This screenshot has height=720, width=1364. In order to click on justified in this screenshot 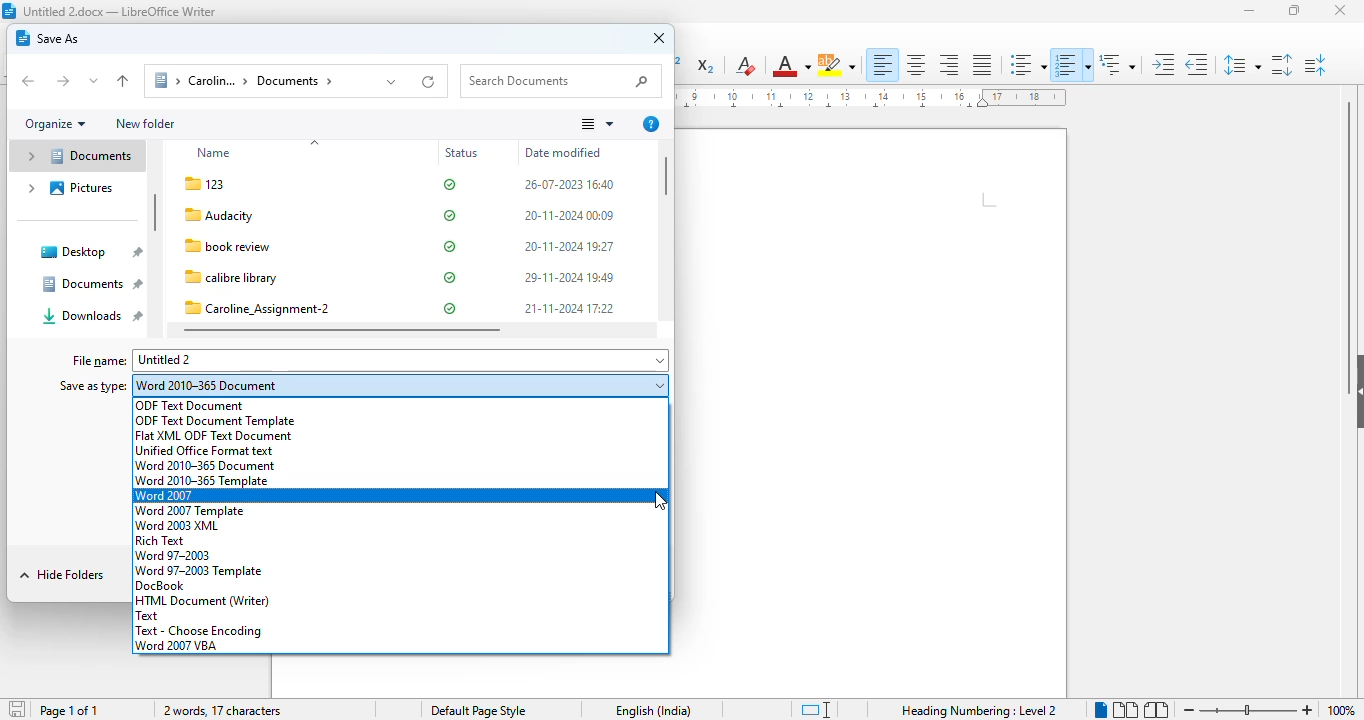, I will do `click(982, 64)`.